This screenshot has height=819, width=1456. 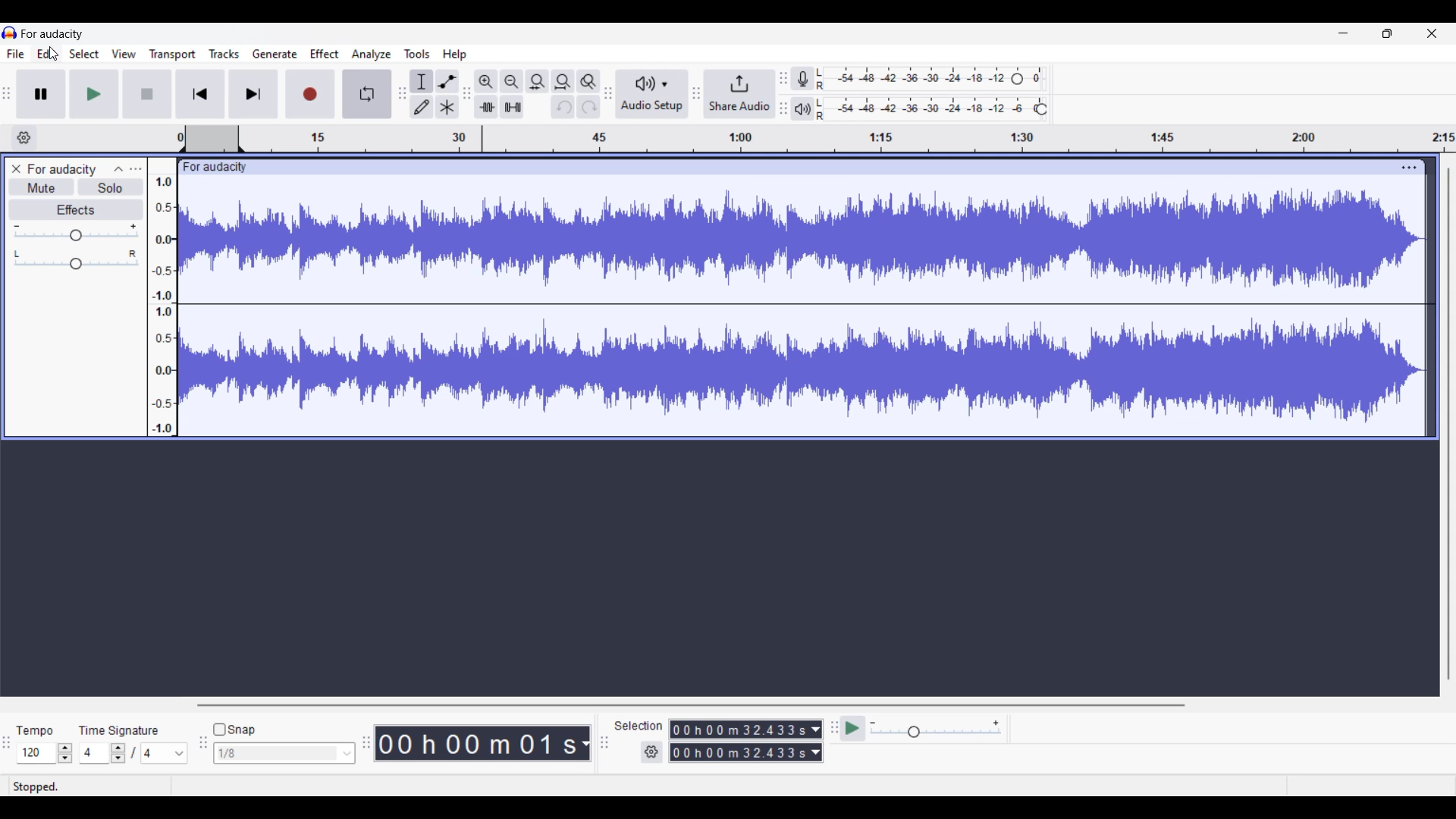 I want to click on Mute, so click(x=42, y=189).